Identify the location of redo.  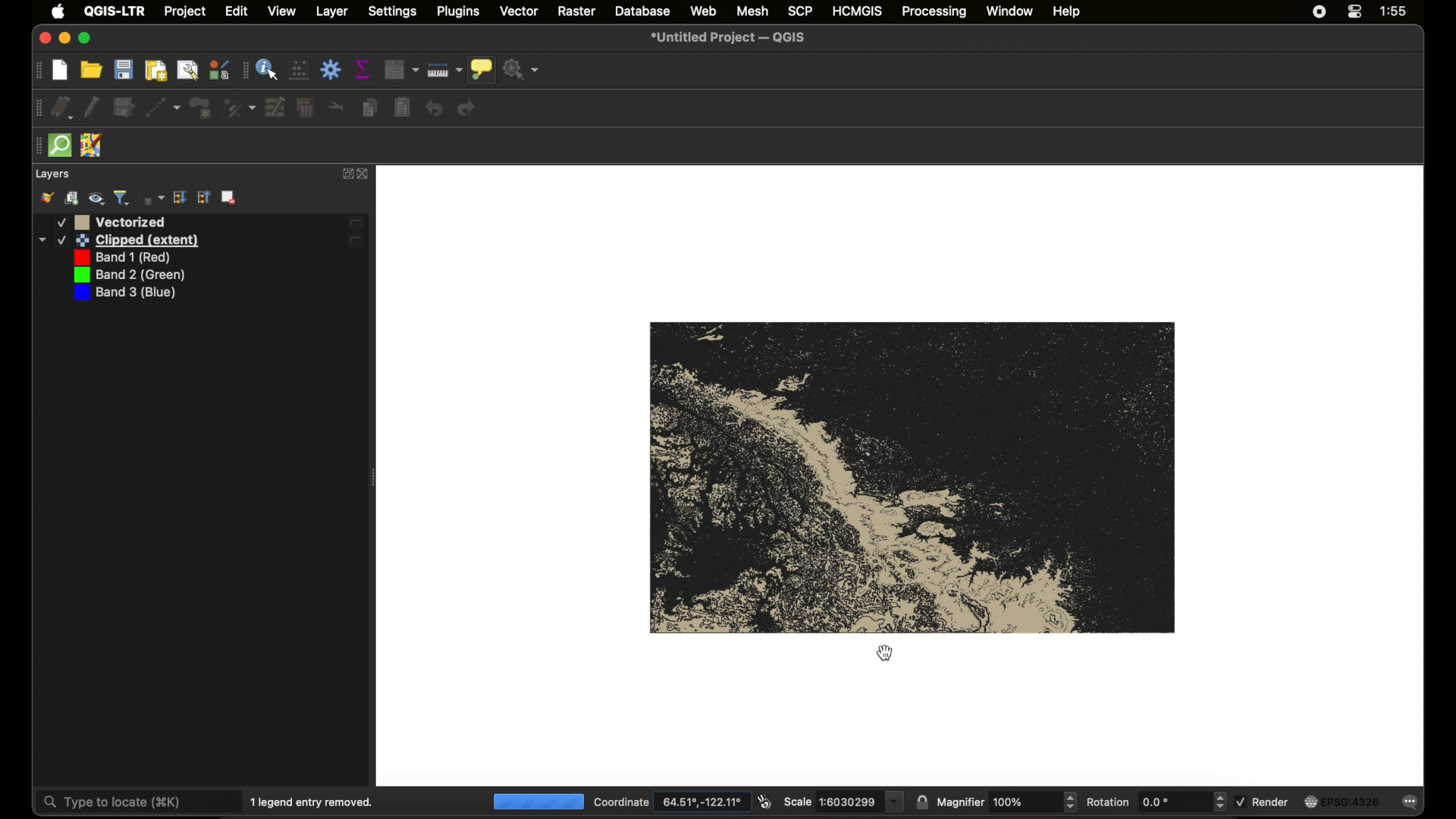
(468, 108).